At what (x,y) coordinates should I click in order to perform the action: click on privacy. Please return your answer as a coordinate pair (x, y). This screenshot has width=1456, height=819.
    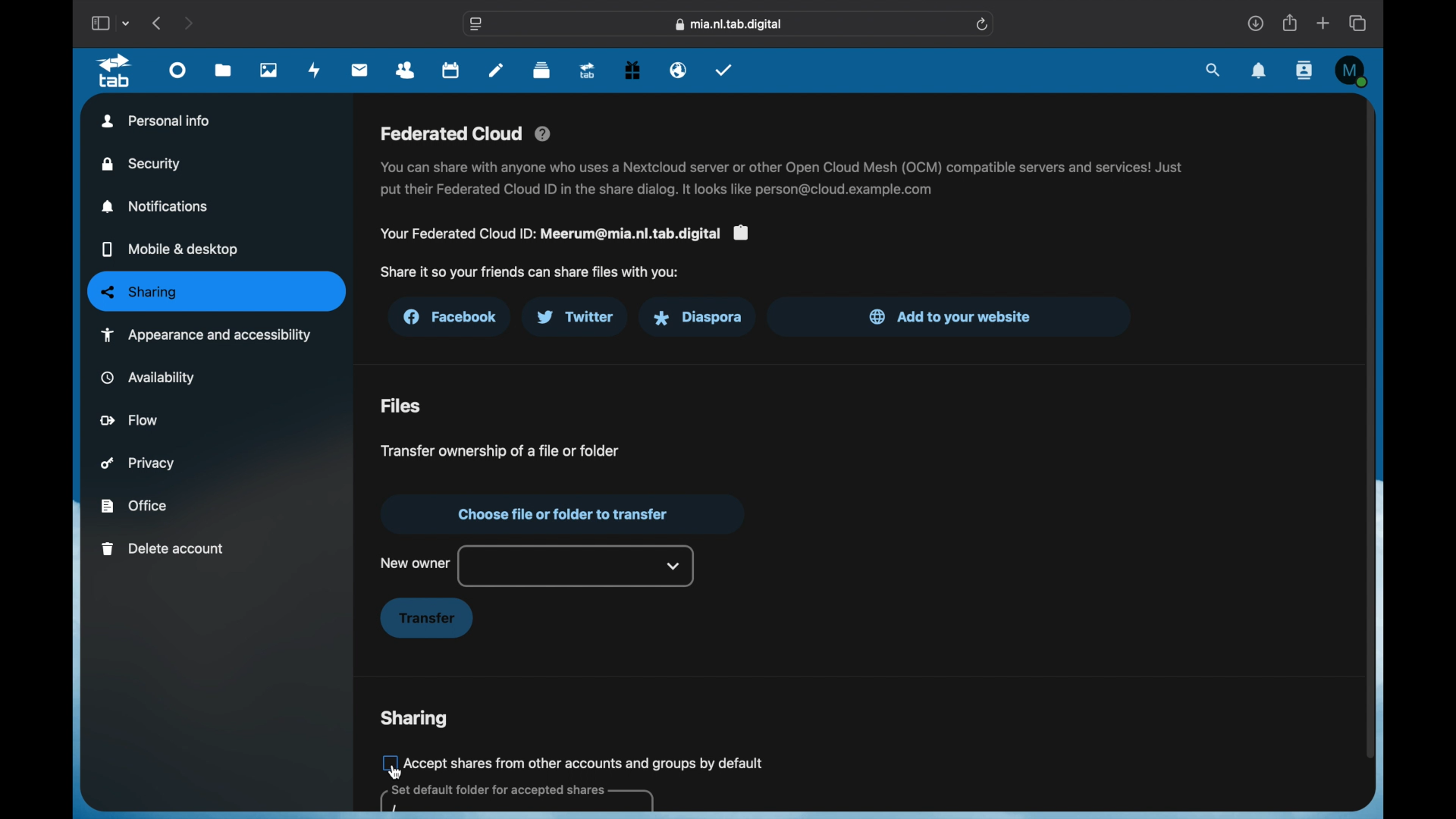
    Looking at the image, I should click on (138, 463).